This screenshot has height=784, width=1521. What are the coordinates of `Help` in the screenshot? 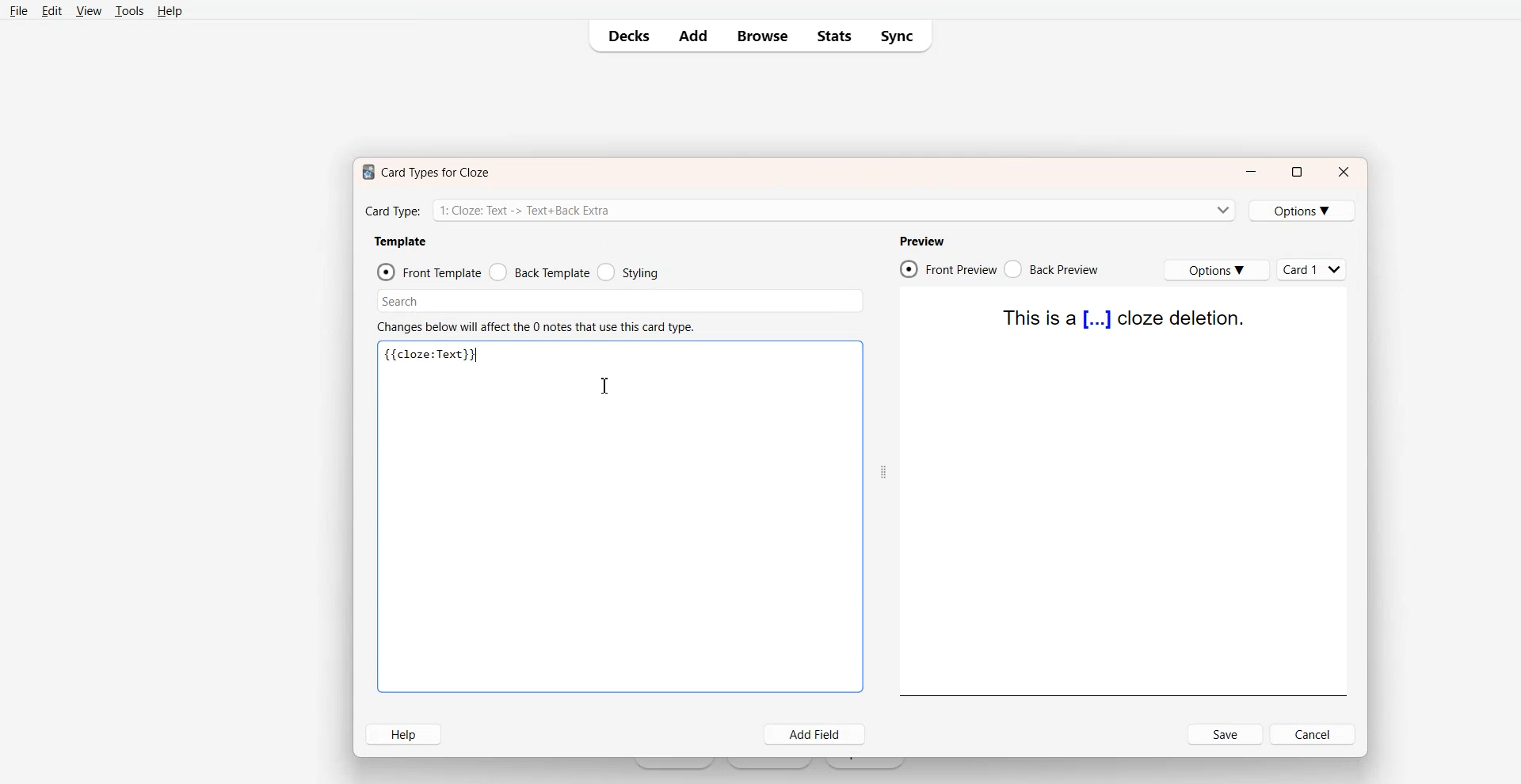 It's located at (169, 10).